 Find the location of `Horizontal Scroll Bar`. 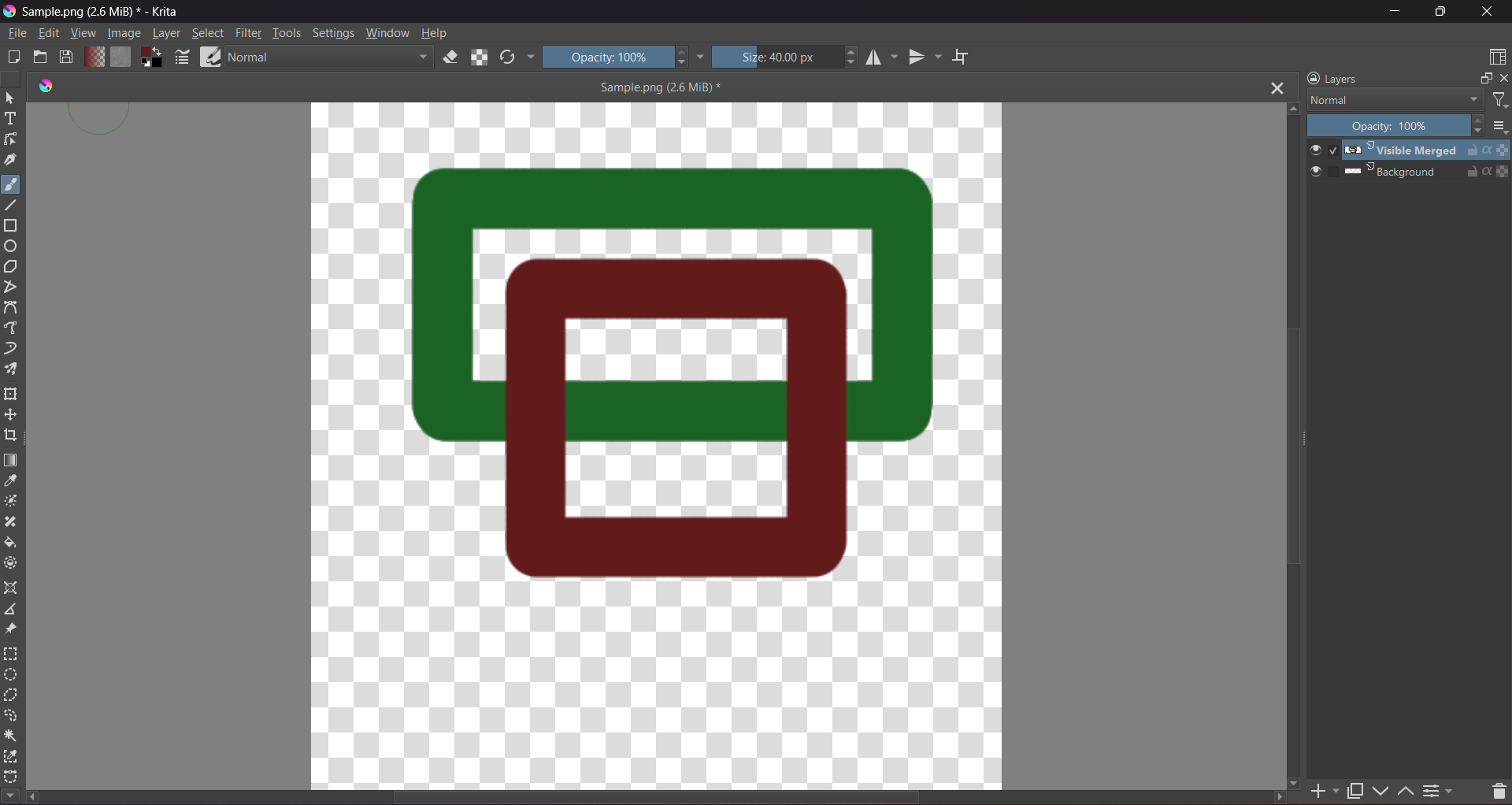

Horizontal Scroll Bar is located at coordinates (665, 799).